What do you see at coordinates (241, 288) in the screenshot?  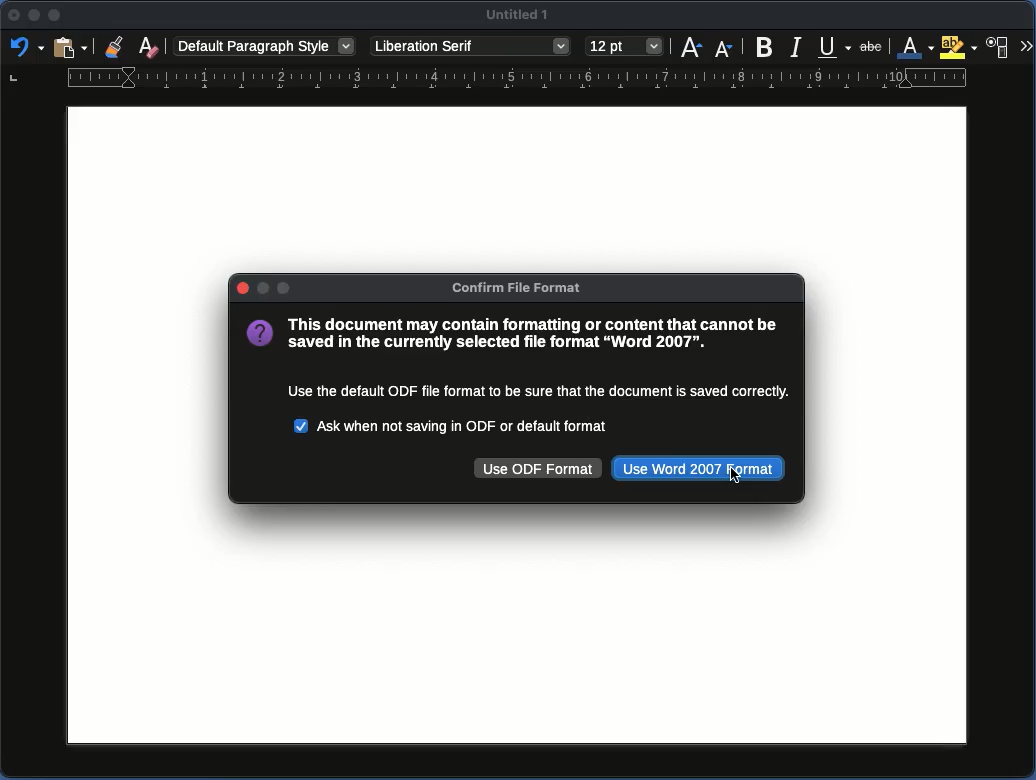 I see `Close` at bounding box center [241, 288].